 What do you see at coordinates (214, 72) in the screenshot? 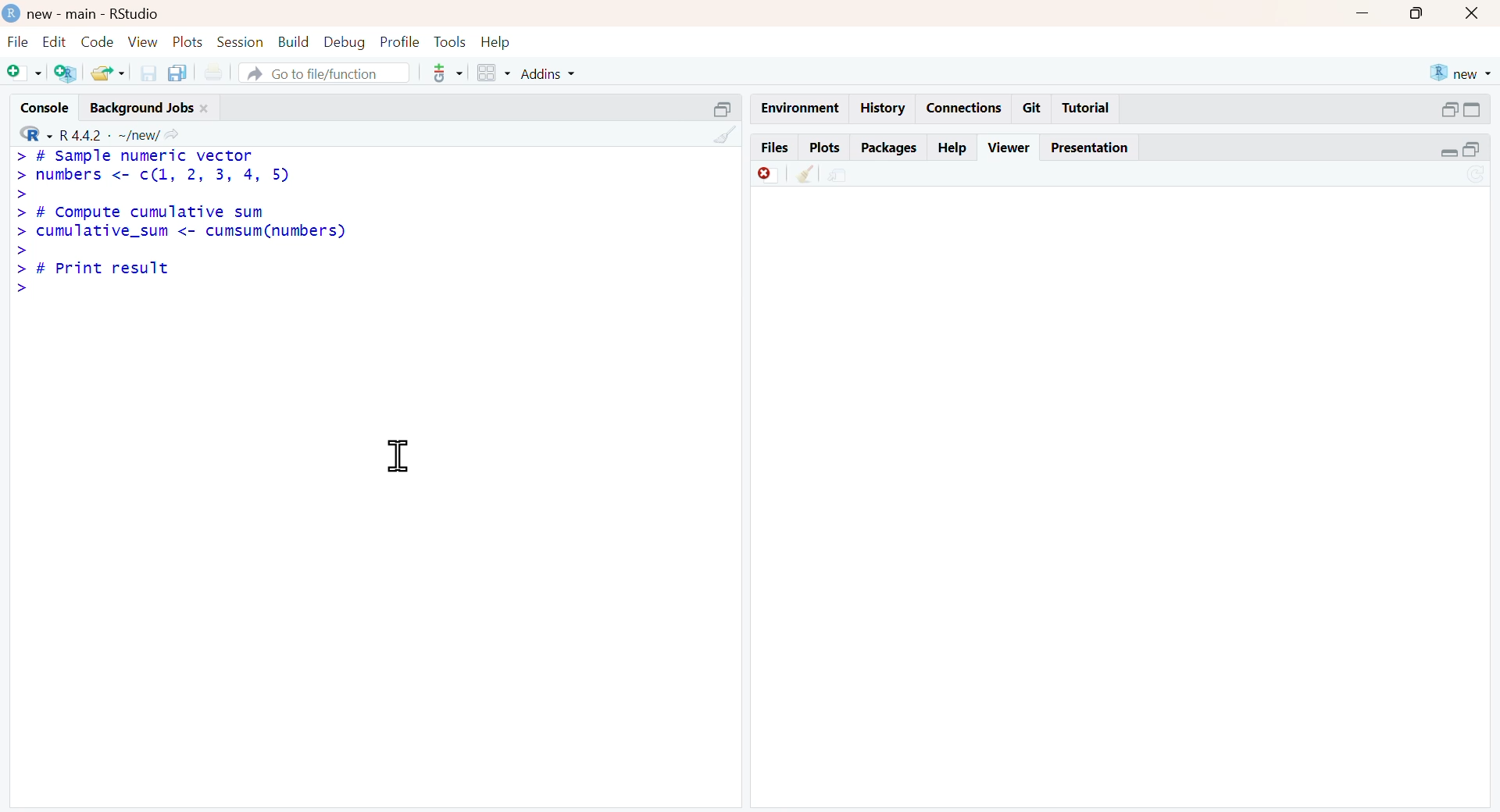
I see `print` at bounding box center [214, 72].